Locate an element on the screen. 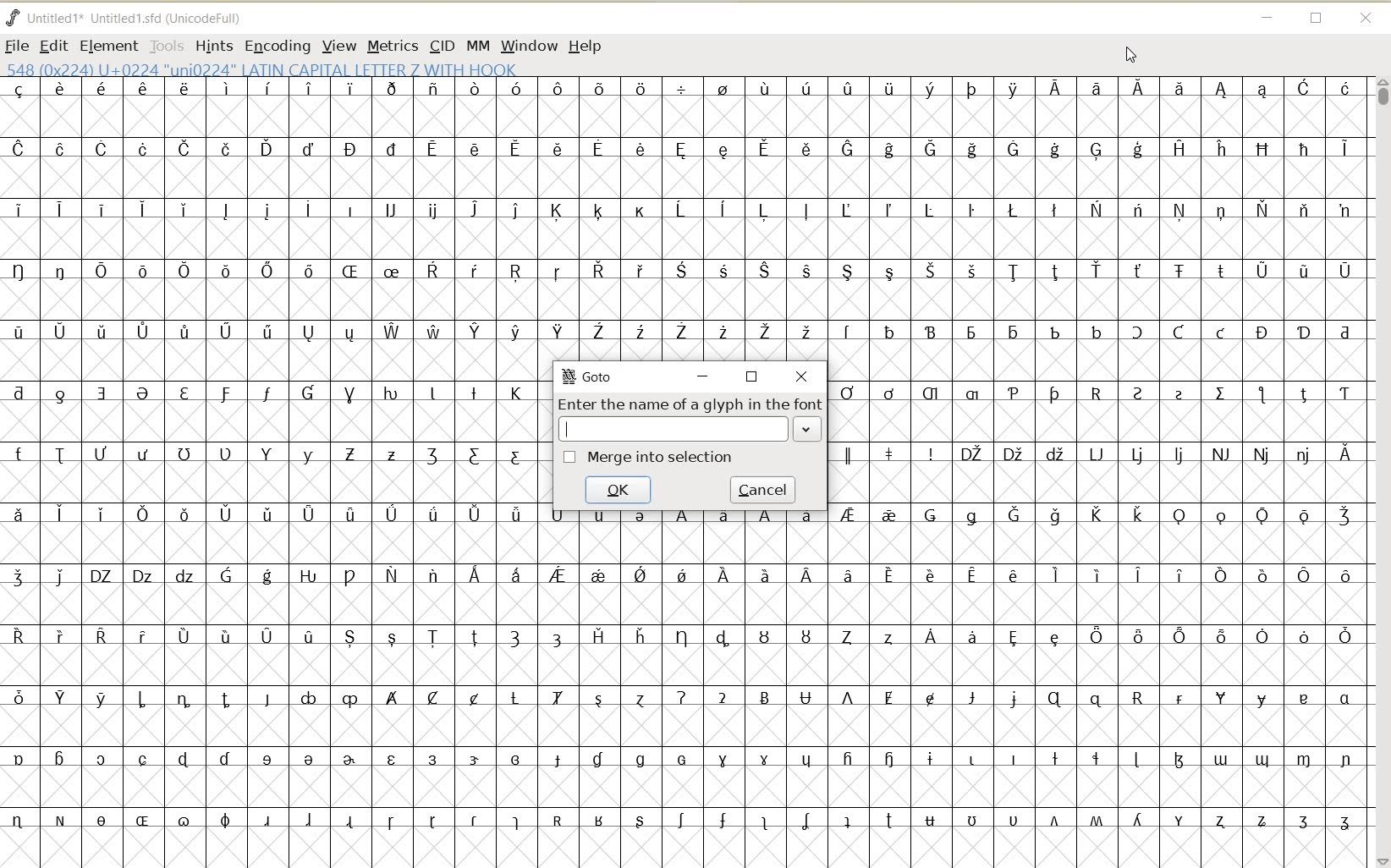  MM is located at coordinates (476, 45).